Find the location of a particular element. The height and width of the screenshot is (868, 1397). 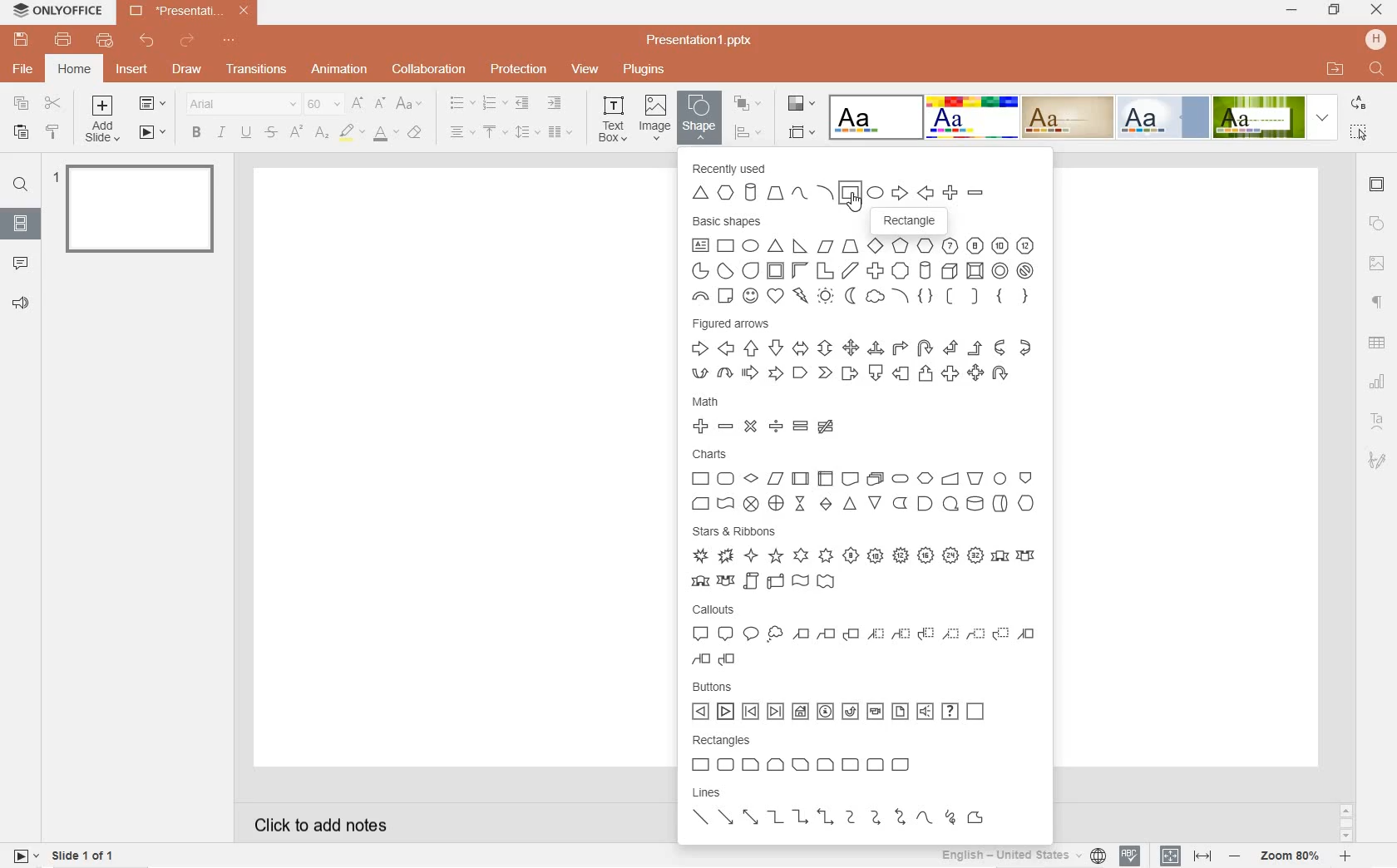

Bent Arrow is located at coordinates (900, 348).